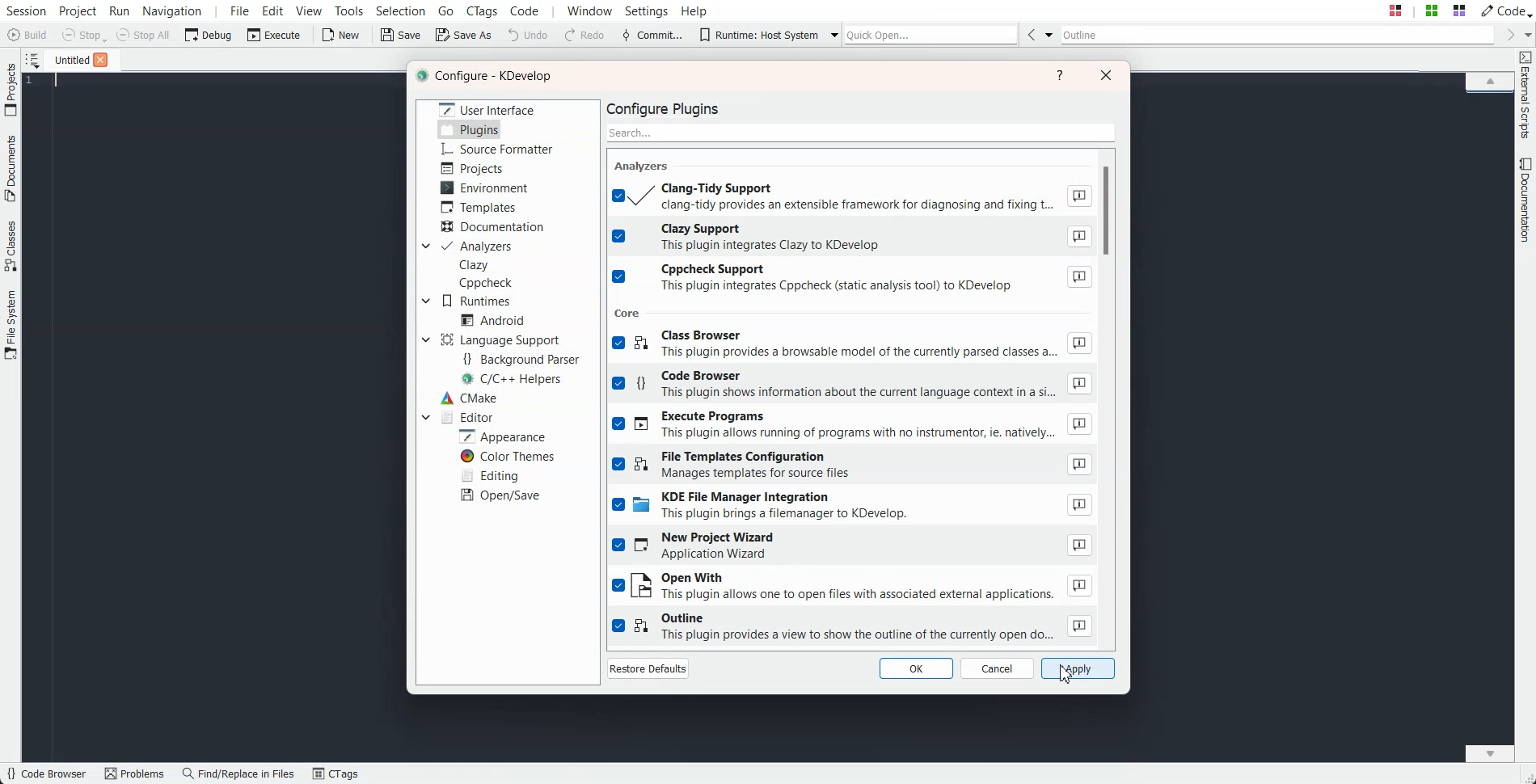 The height and width of the screenshot is (784, 1536). What do you see at coordinates (629, 312) in the screenshot?
I see `Text` at bounding box center [629, 312].